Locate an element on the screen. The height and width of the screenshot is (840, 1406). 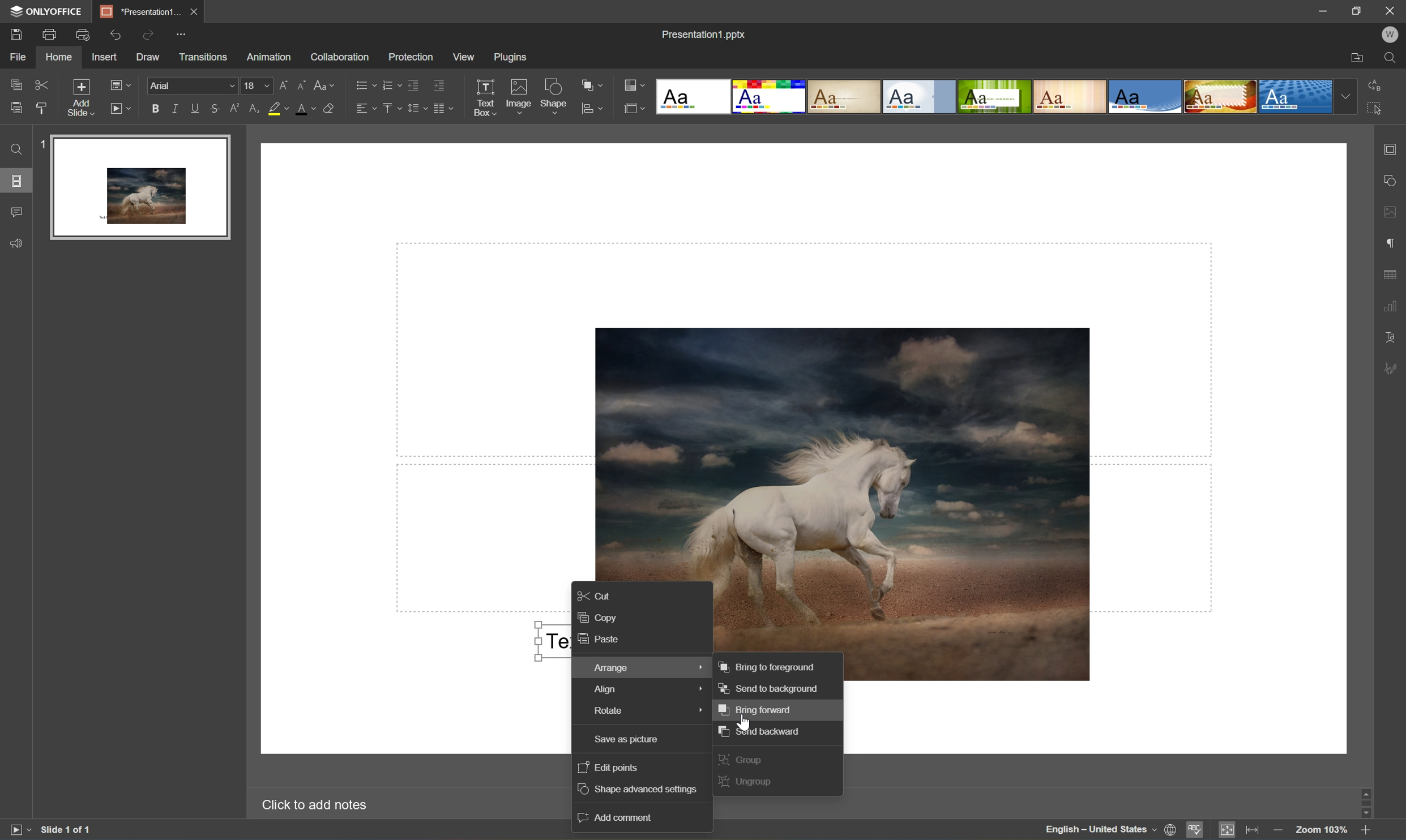
Add slide is located at coordinates (84, 100).